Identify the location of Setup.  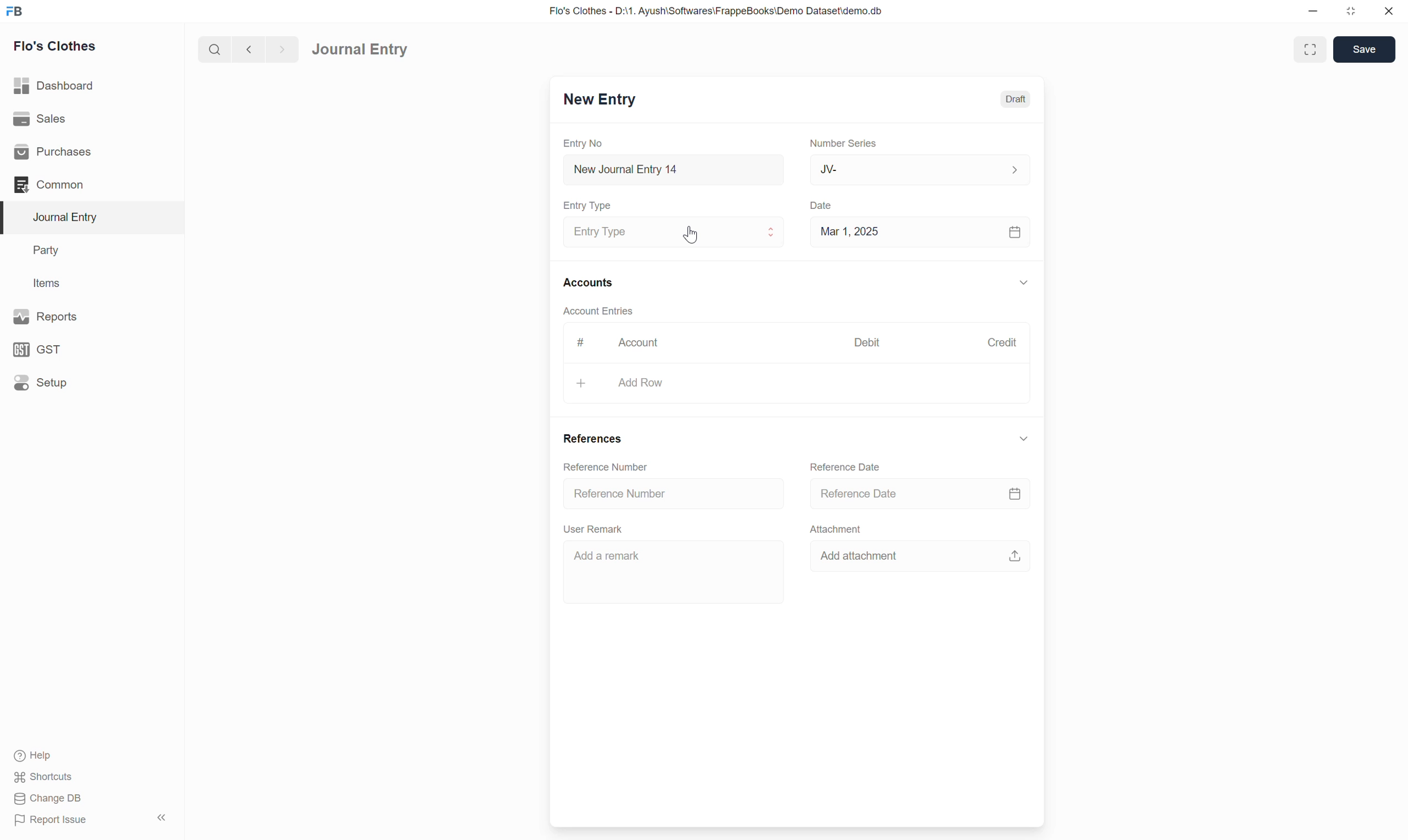
(41, 382).